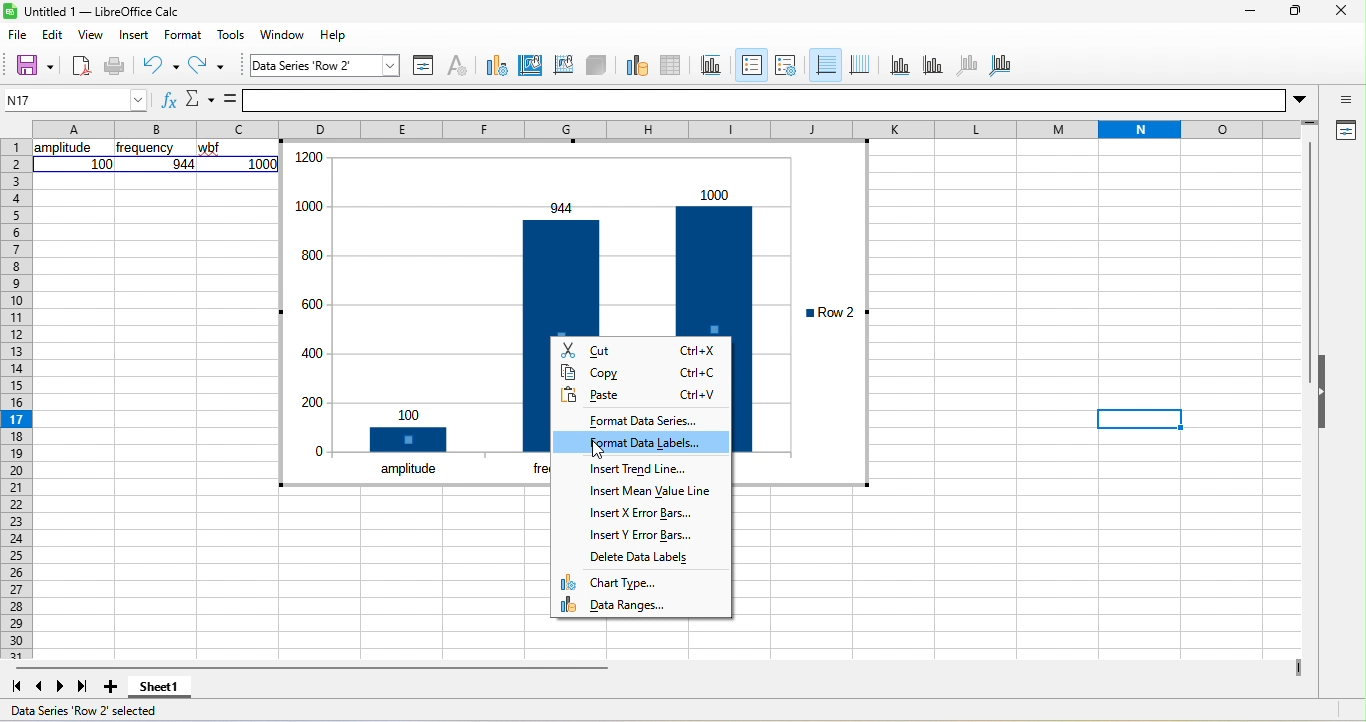 This screenshot has height=722, width=1366. What do you see at coordinates (208, 66) in the screenshot?
I see `redo` at bounding box center [208, 66].